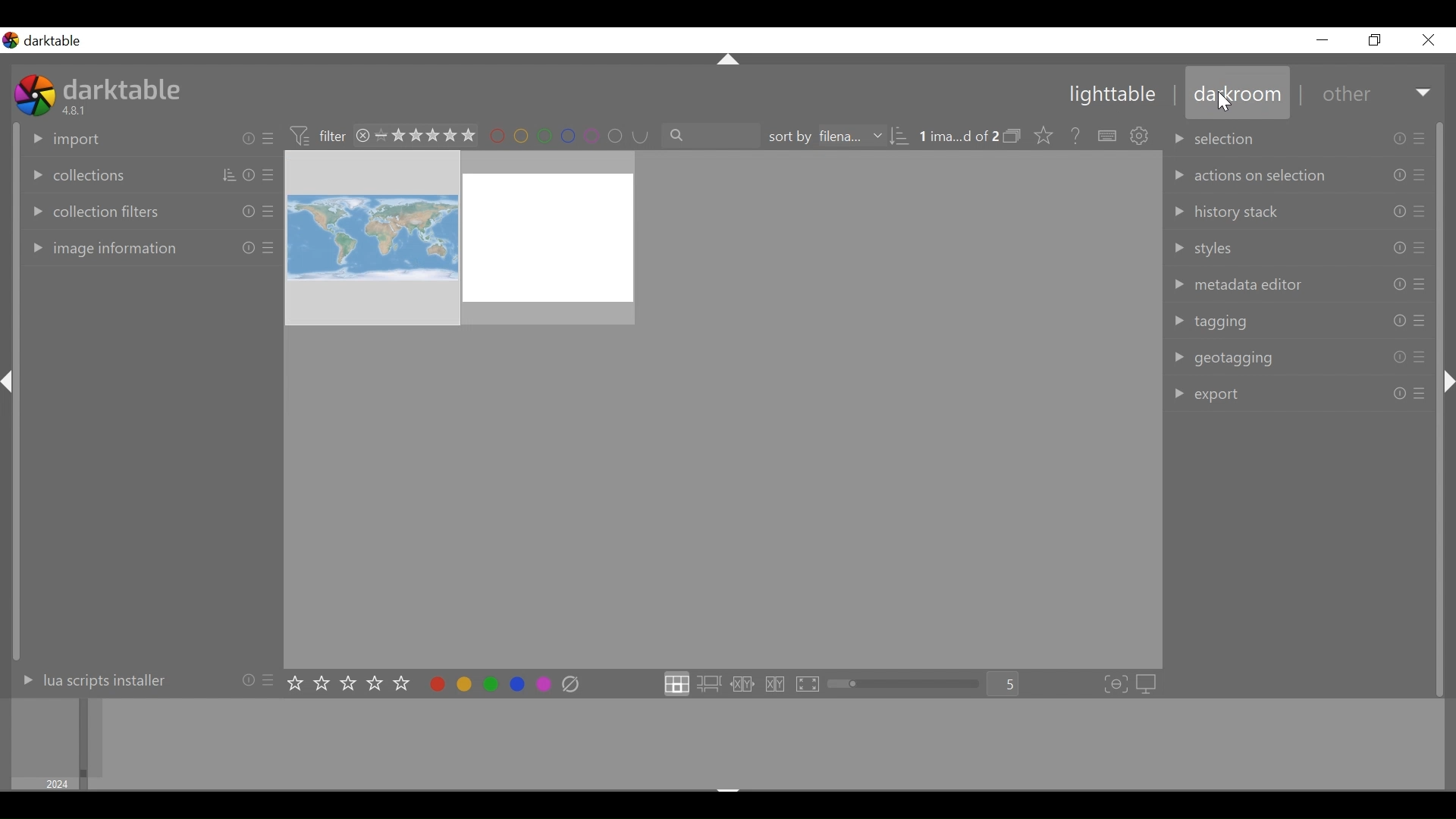  Describe the element at coordinates (122, 89) in the screenshot. I see `darktable` at that location.